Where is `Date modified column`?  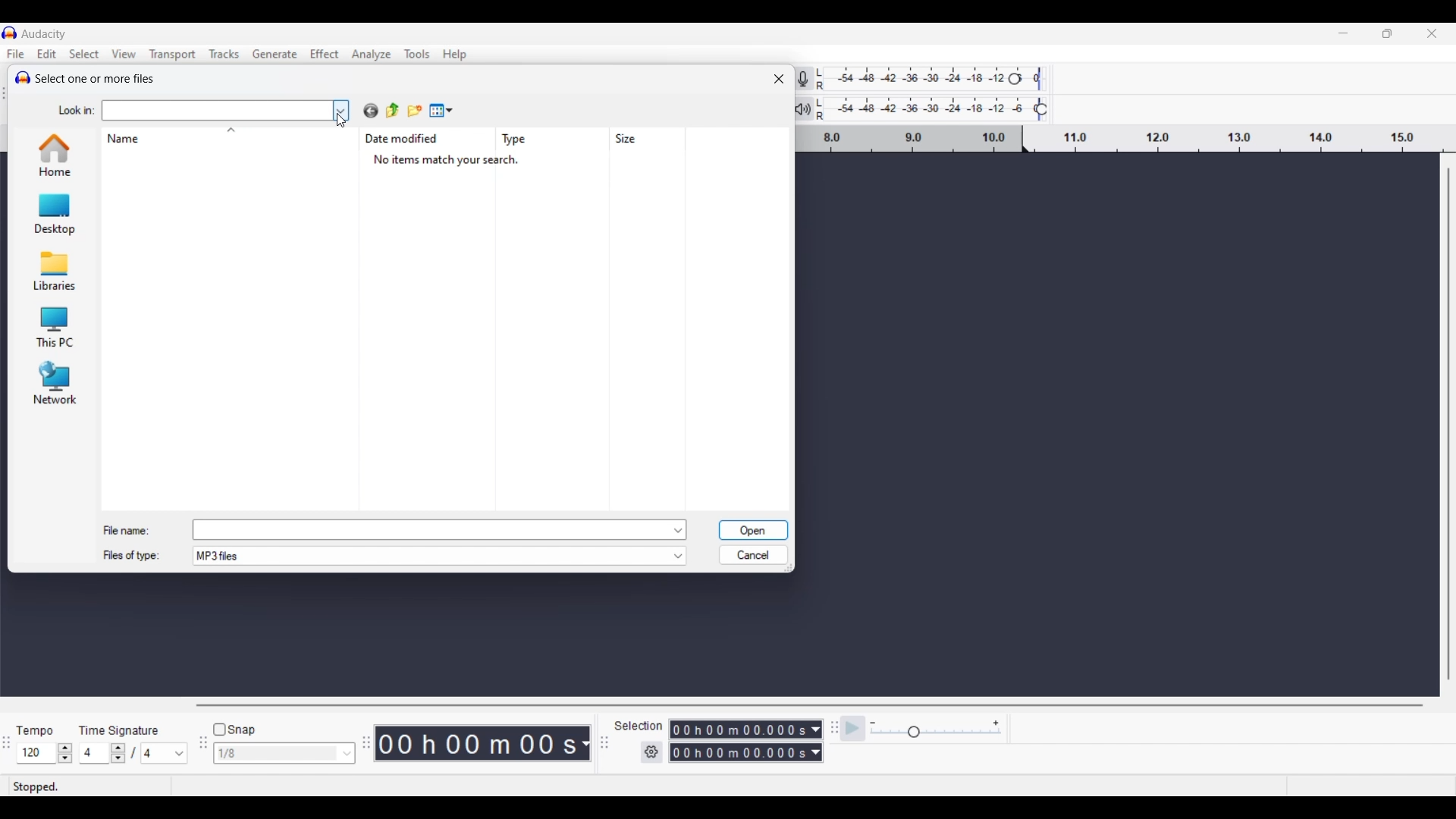
Date modified column is located at coordinates (405, 139).